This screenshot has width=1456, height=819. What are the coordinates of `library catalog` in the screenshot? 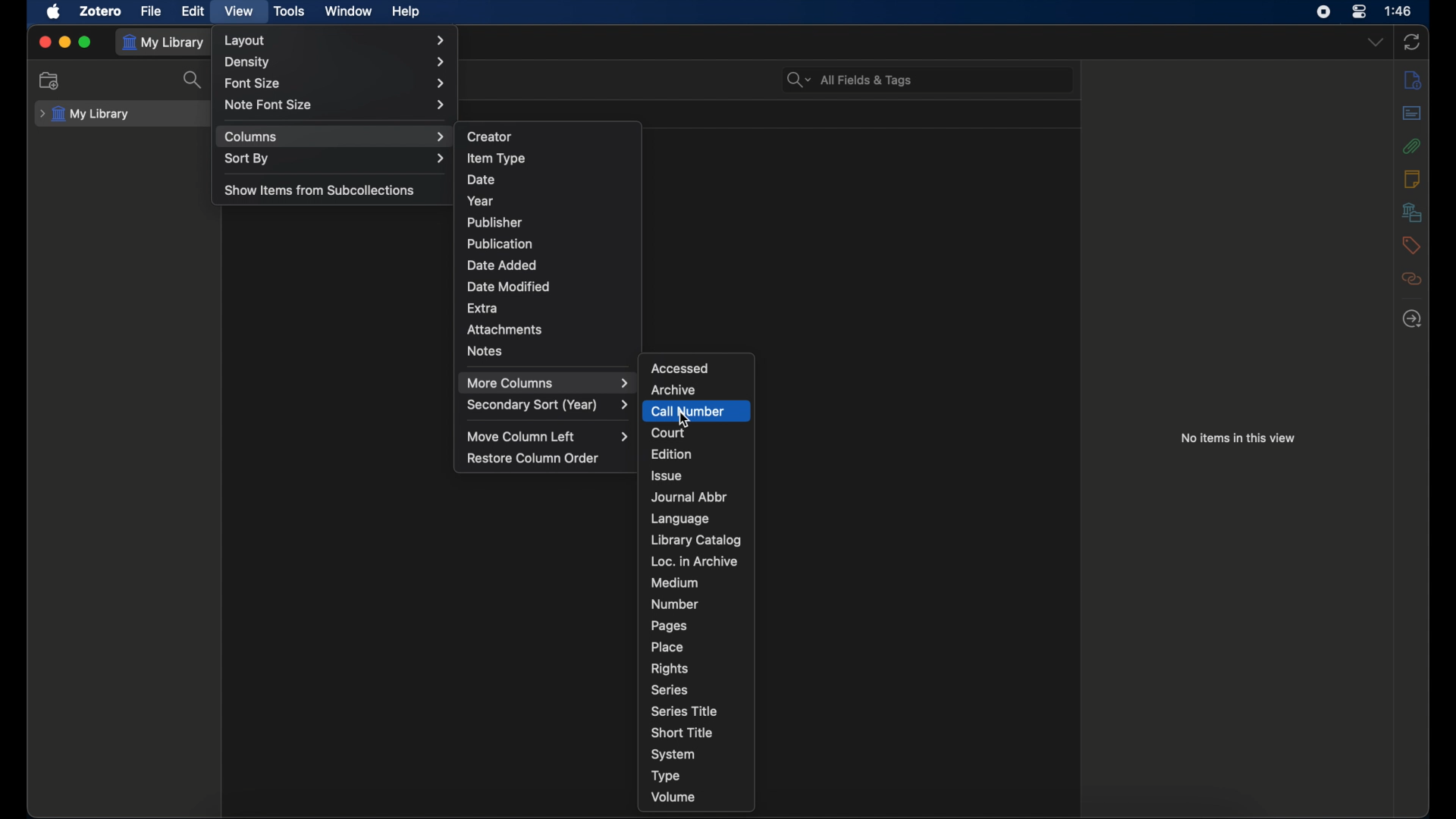 It's located at (696, 540).